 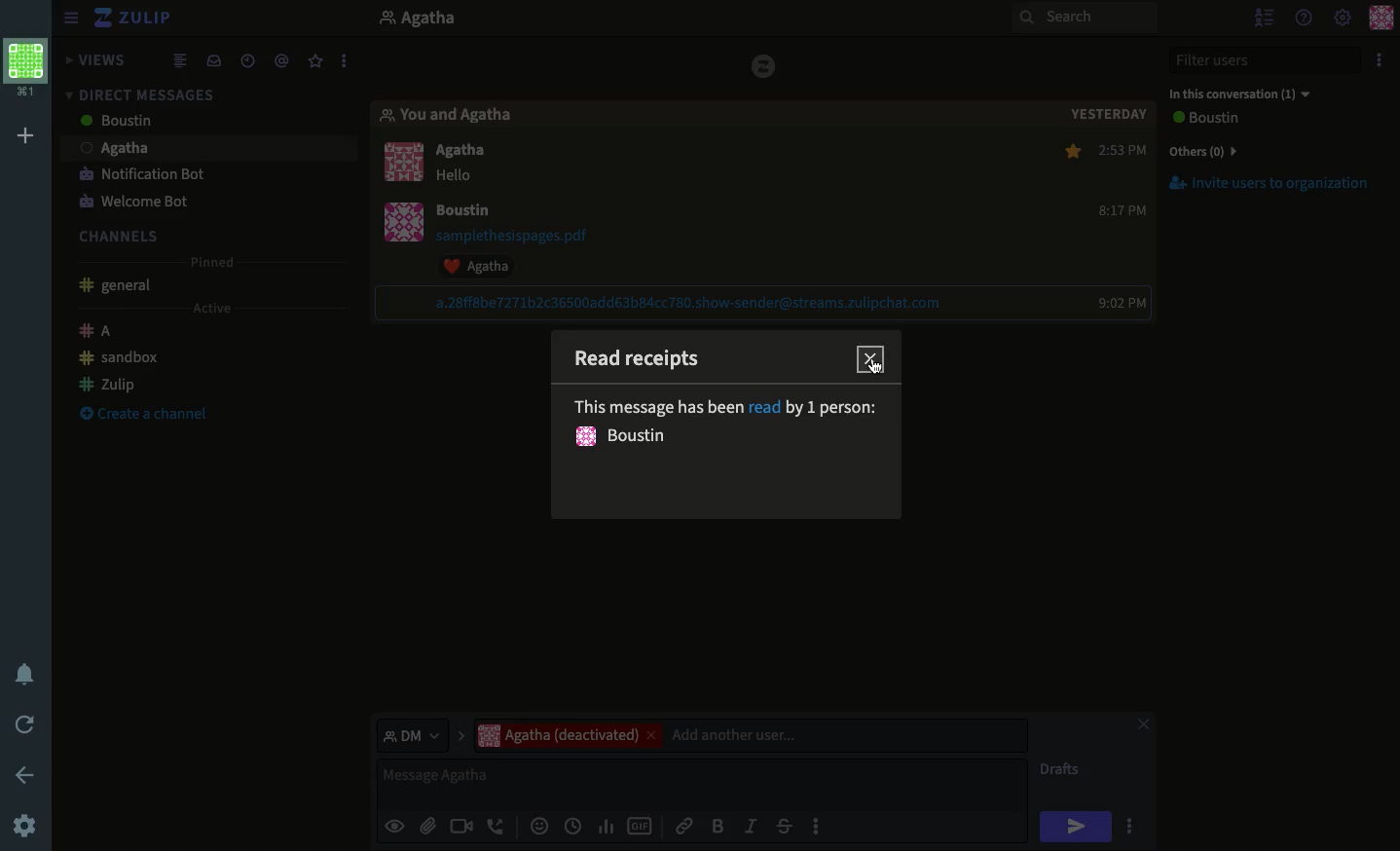 What do you see at coordinates (247, 58) in the screenshot?
I see `Time` at bounding box center [247, 58].